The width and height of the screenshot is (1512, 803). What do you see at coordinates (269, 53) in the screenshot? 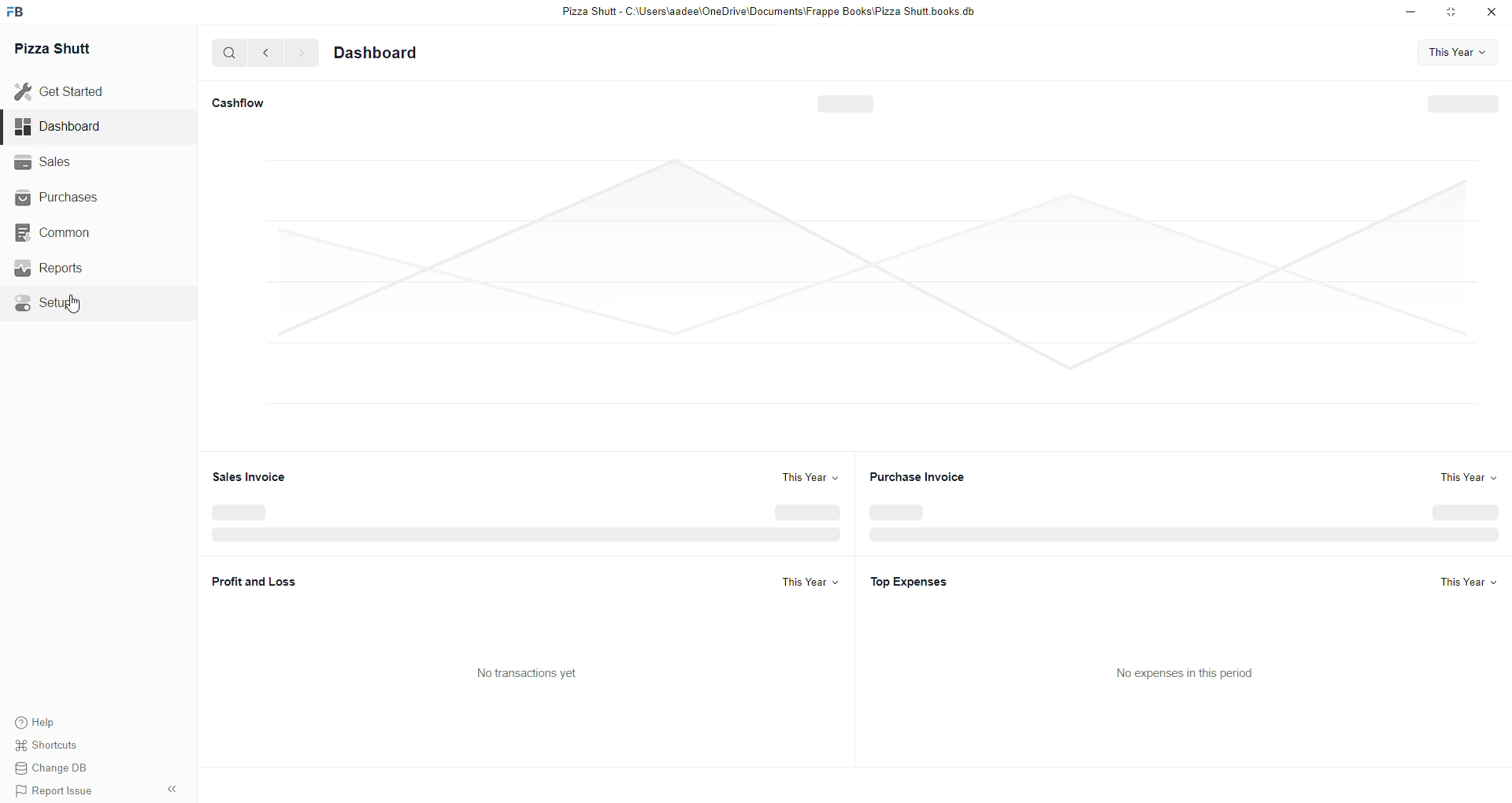
I see `go back ` at bounding box center [269, 53].